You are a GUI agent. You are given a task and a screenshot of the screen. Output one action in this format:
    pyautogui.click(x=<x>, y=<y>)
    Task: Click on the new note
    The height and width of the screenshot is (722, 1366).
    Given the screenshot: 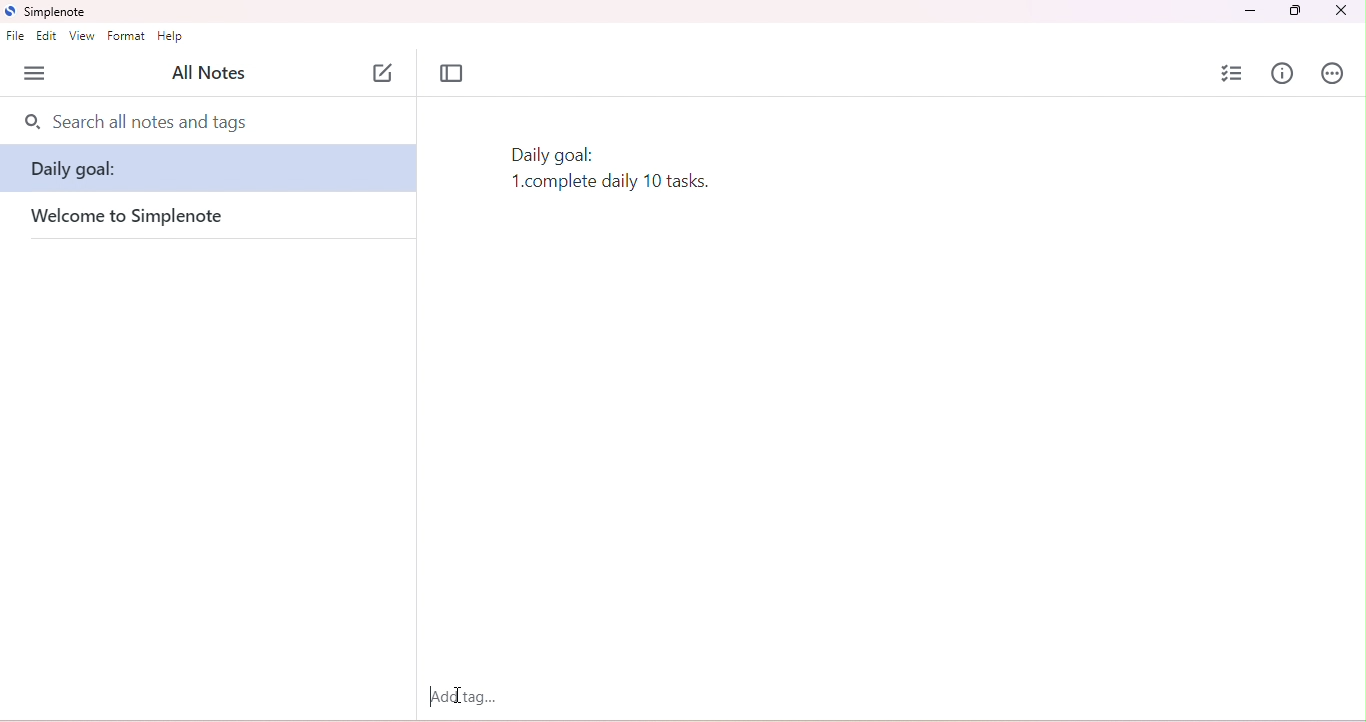 What is the action you would take?
    pyautogui.click(x=384, y=73)
    